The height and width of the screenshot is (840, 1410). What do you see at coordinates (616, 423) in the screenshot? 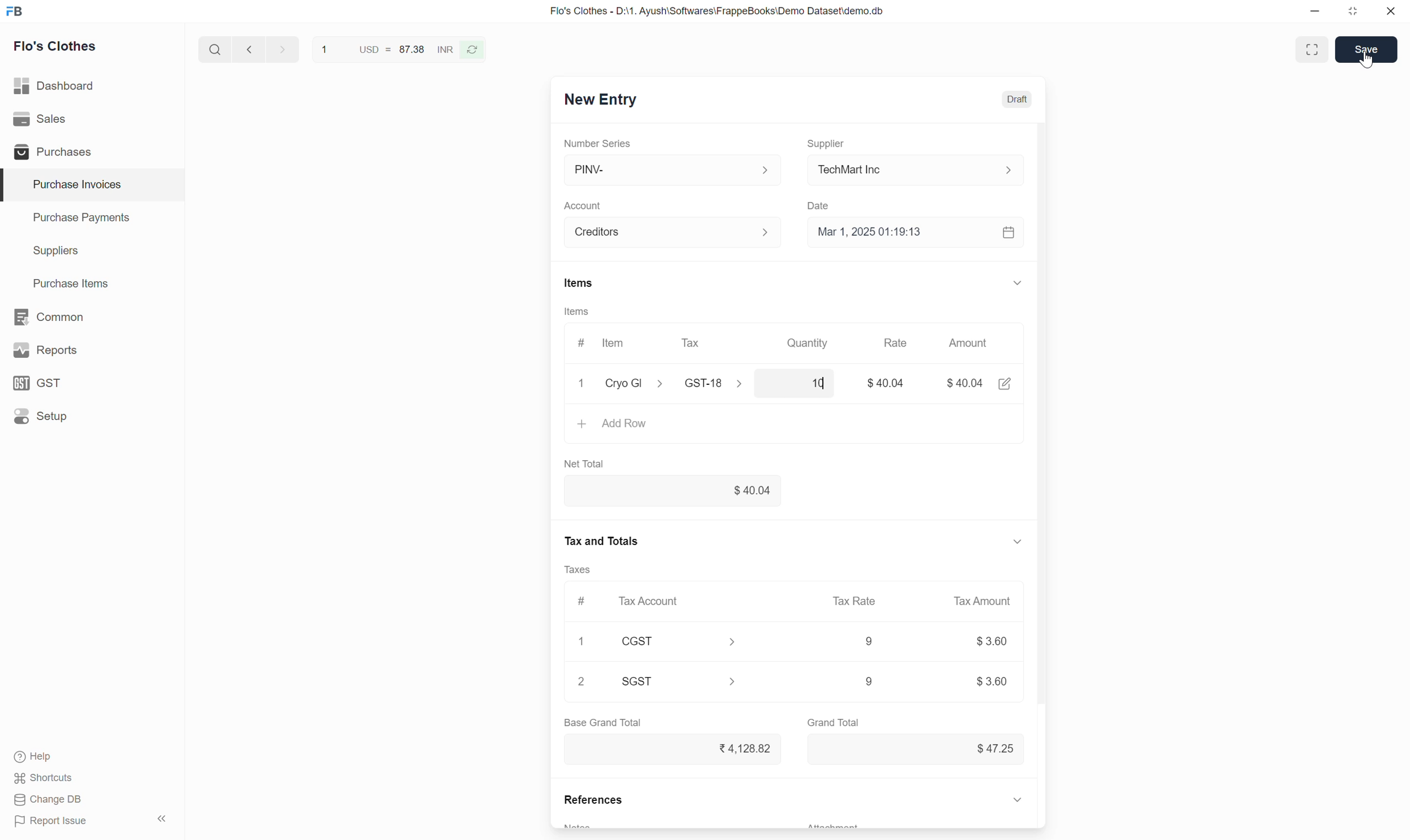
I see `+ Add Row` at bounding box center [616, 423].